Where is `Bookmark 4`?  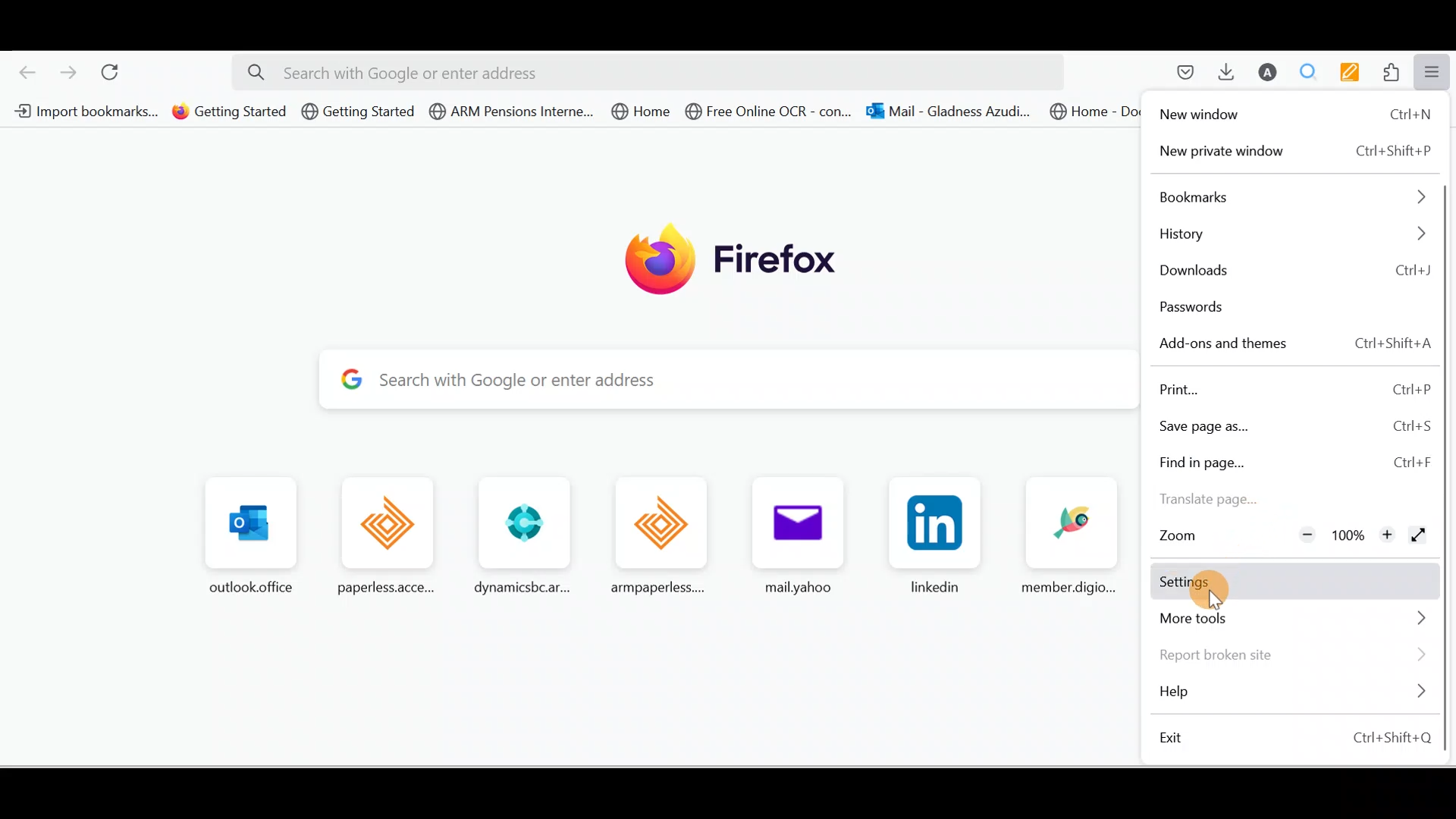
Bookmark 4 is located at coordinates (507, 111).